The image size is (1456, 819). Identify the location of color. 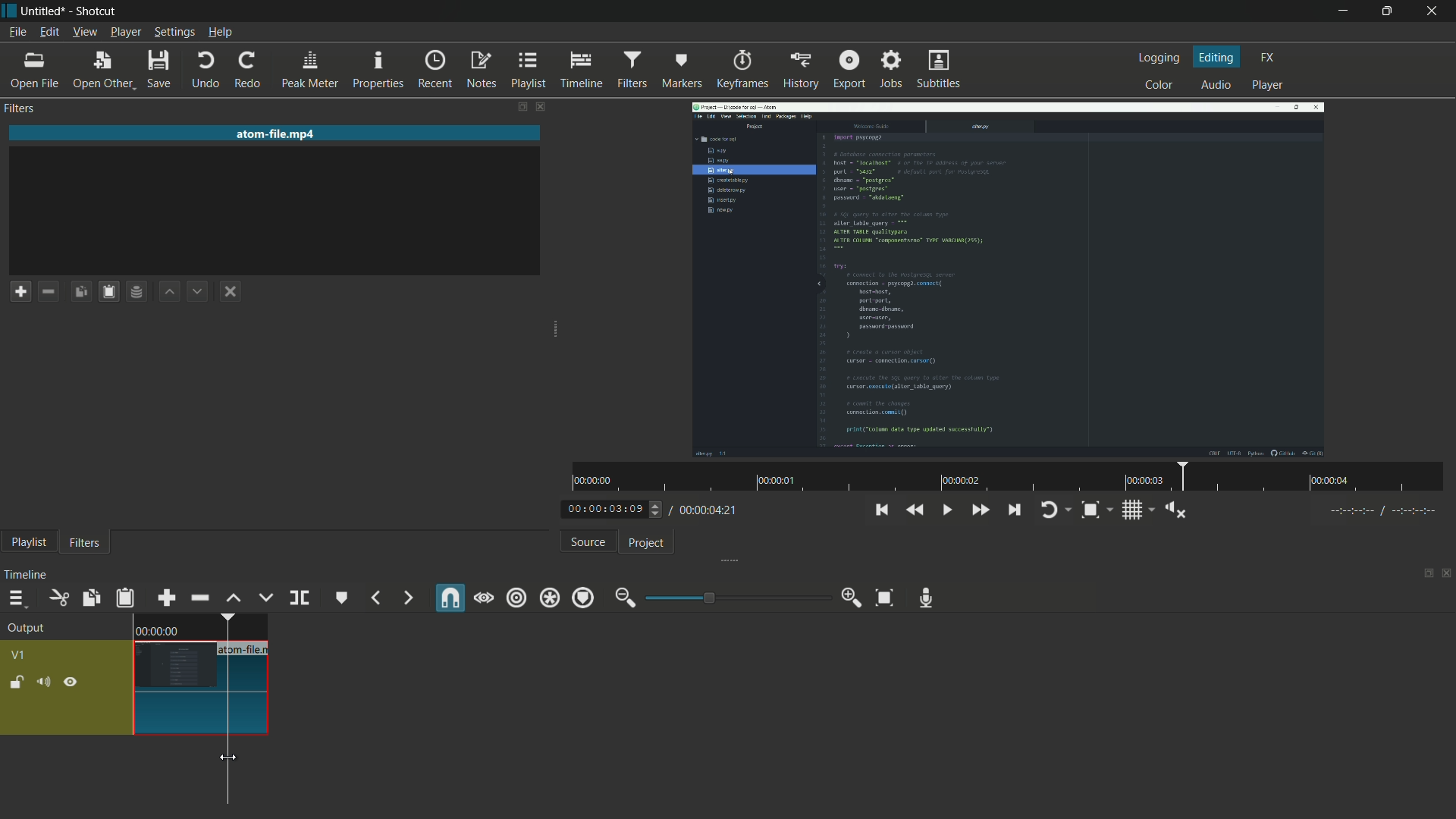
(1159, 86).